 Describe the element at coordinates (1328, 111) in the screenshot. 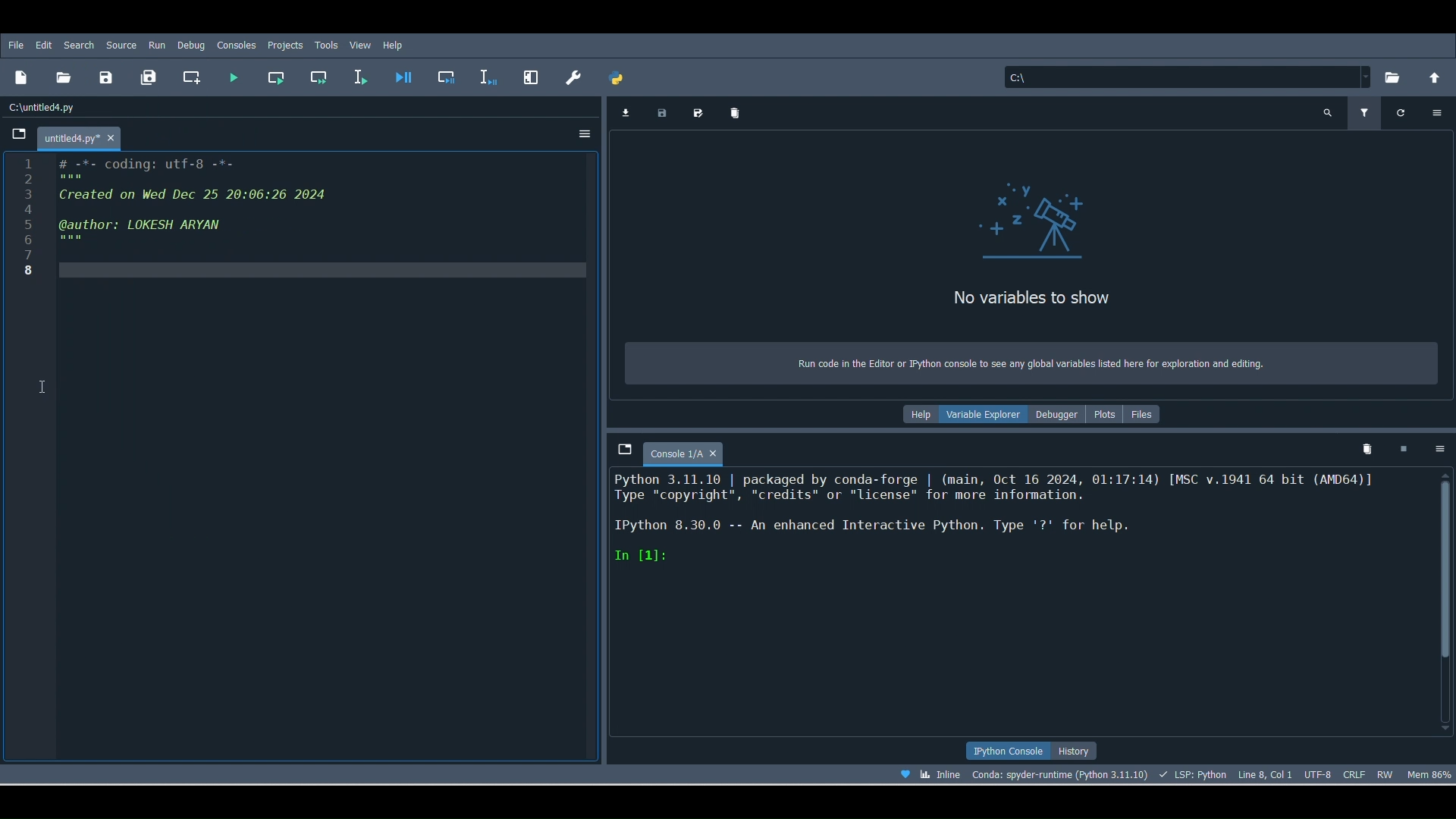

I see `Search variable names and types (Ctrl + F)` at that location.